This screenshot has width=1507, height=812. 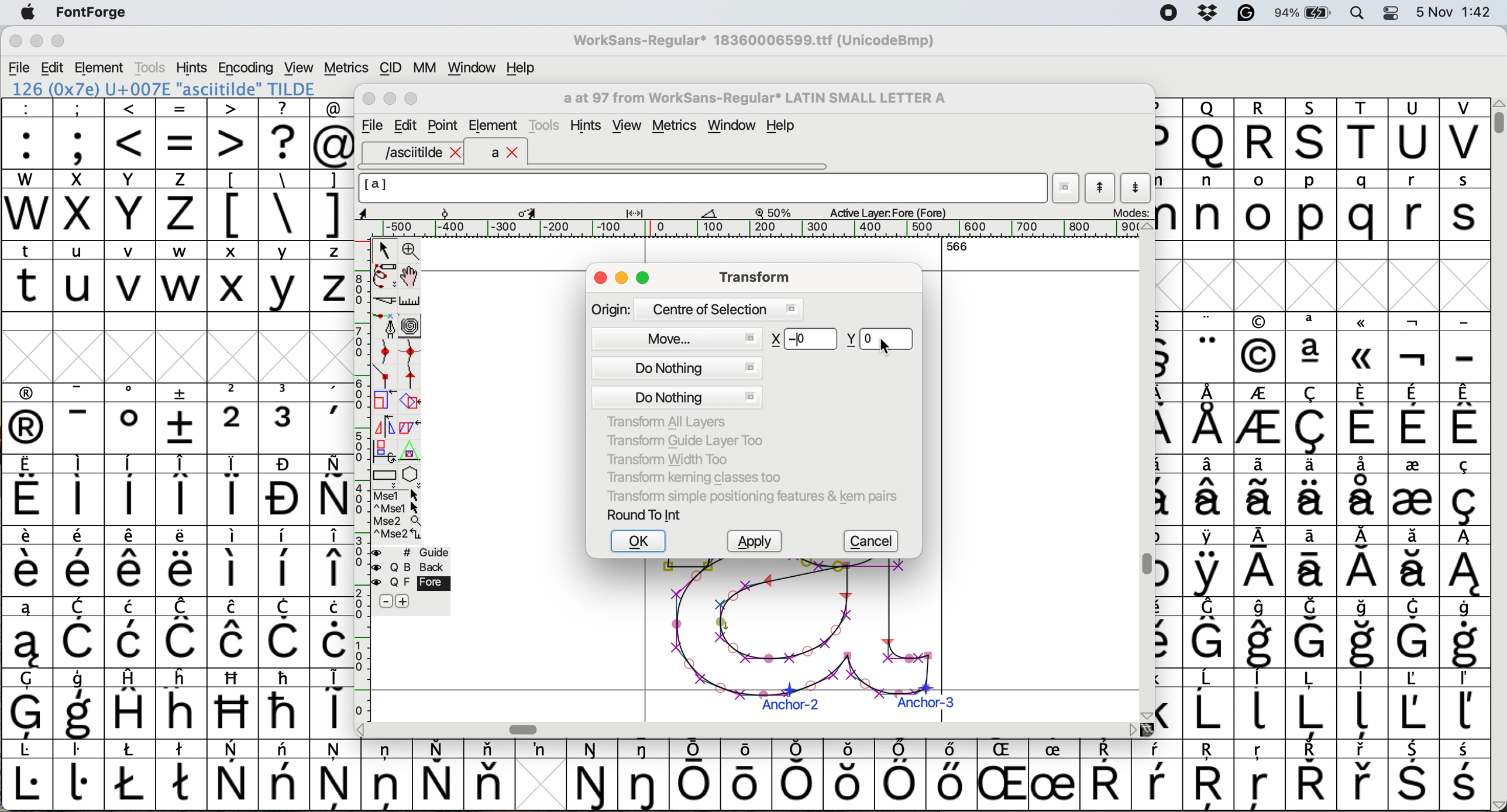 I want to click on symbol, so click(x=80, y=705).